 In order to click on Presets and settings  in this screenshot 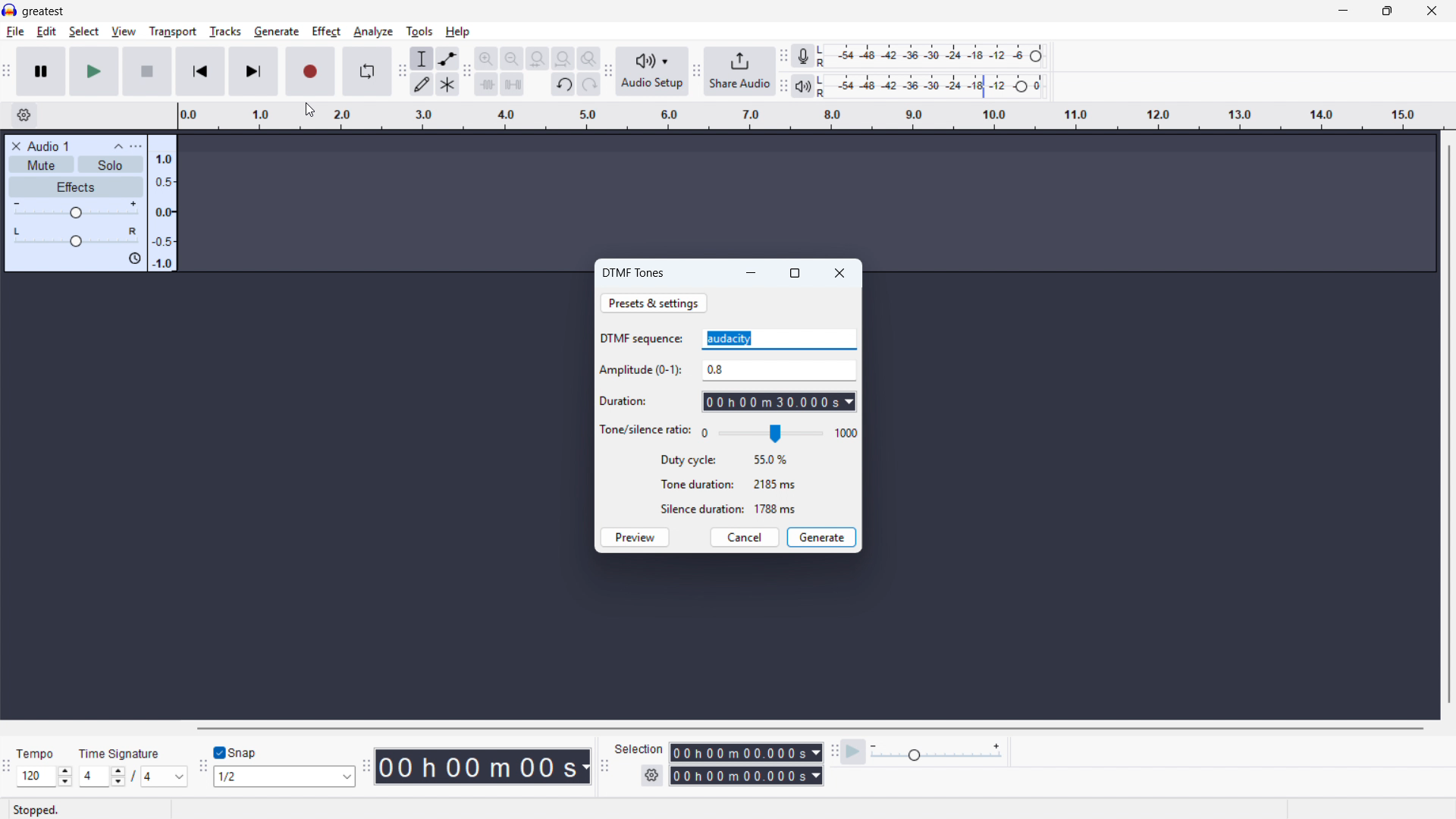, I will do `click(653, 303)`.